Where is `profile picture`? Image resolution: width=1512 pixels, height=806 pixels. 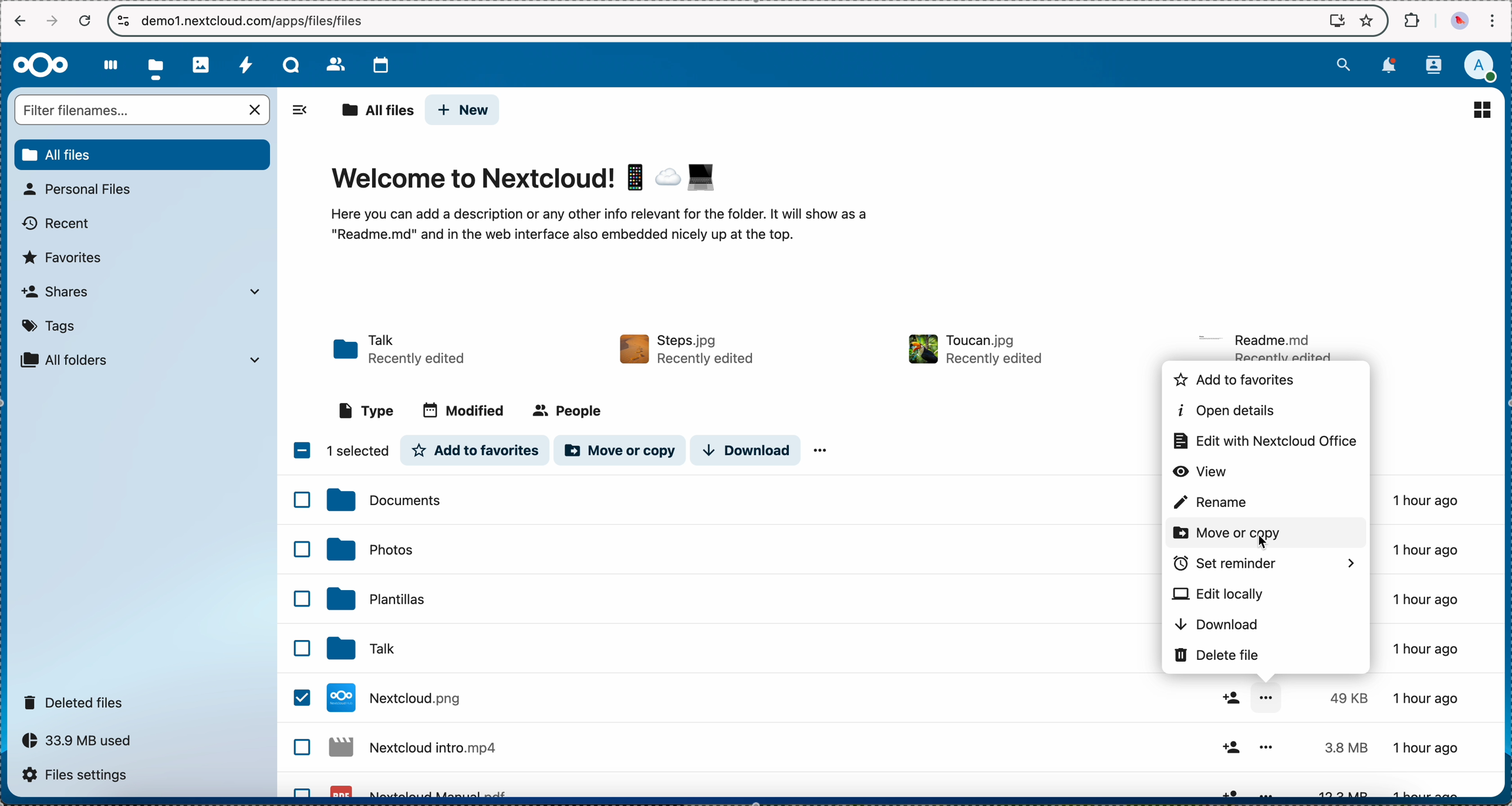
profile picture is located at coordinates (1458, 21).